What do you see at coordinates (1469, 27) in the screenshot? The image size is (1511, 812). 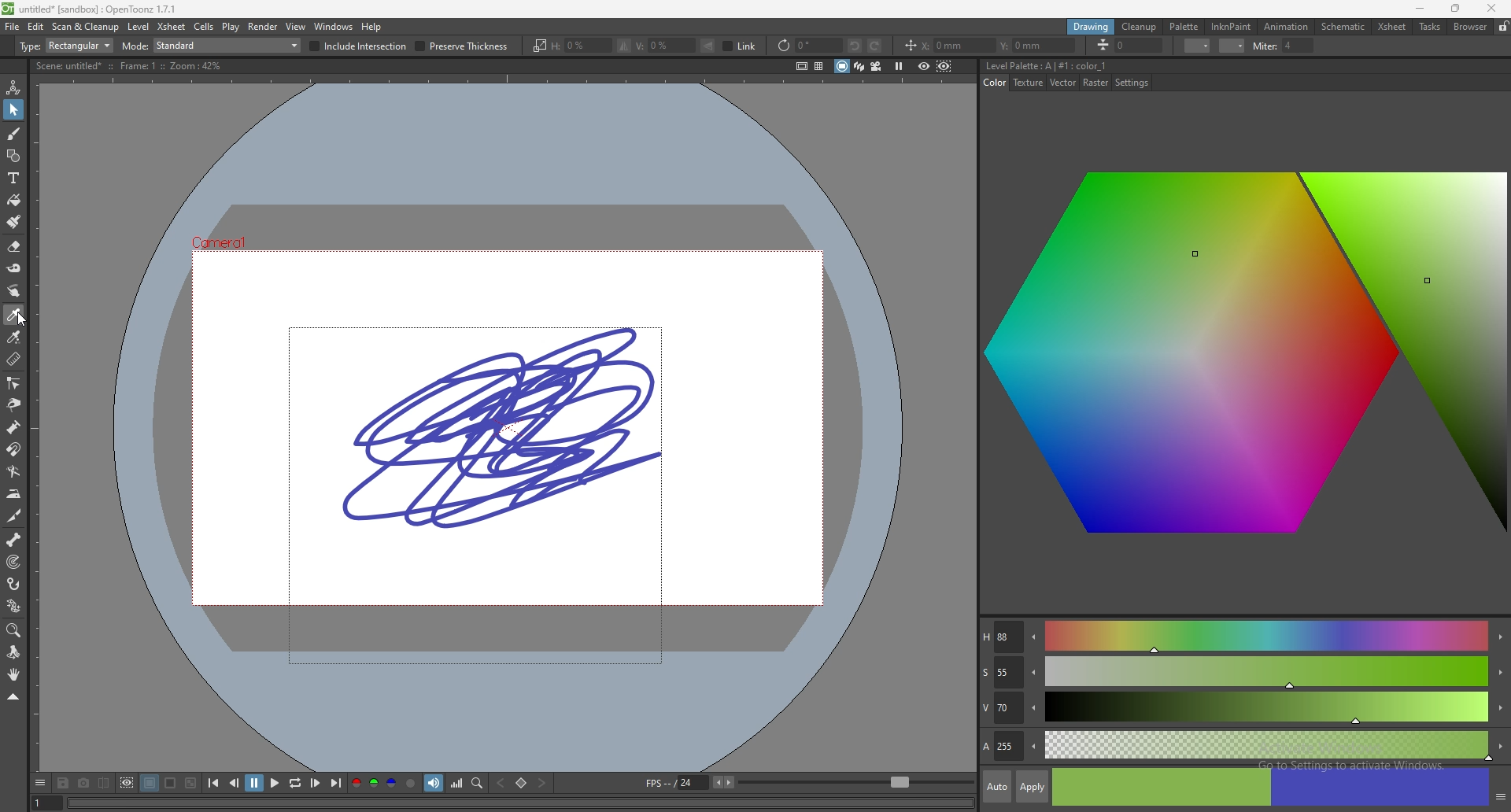 I see `browser` at bounding box center [1469, 27].